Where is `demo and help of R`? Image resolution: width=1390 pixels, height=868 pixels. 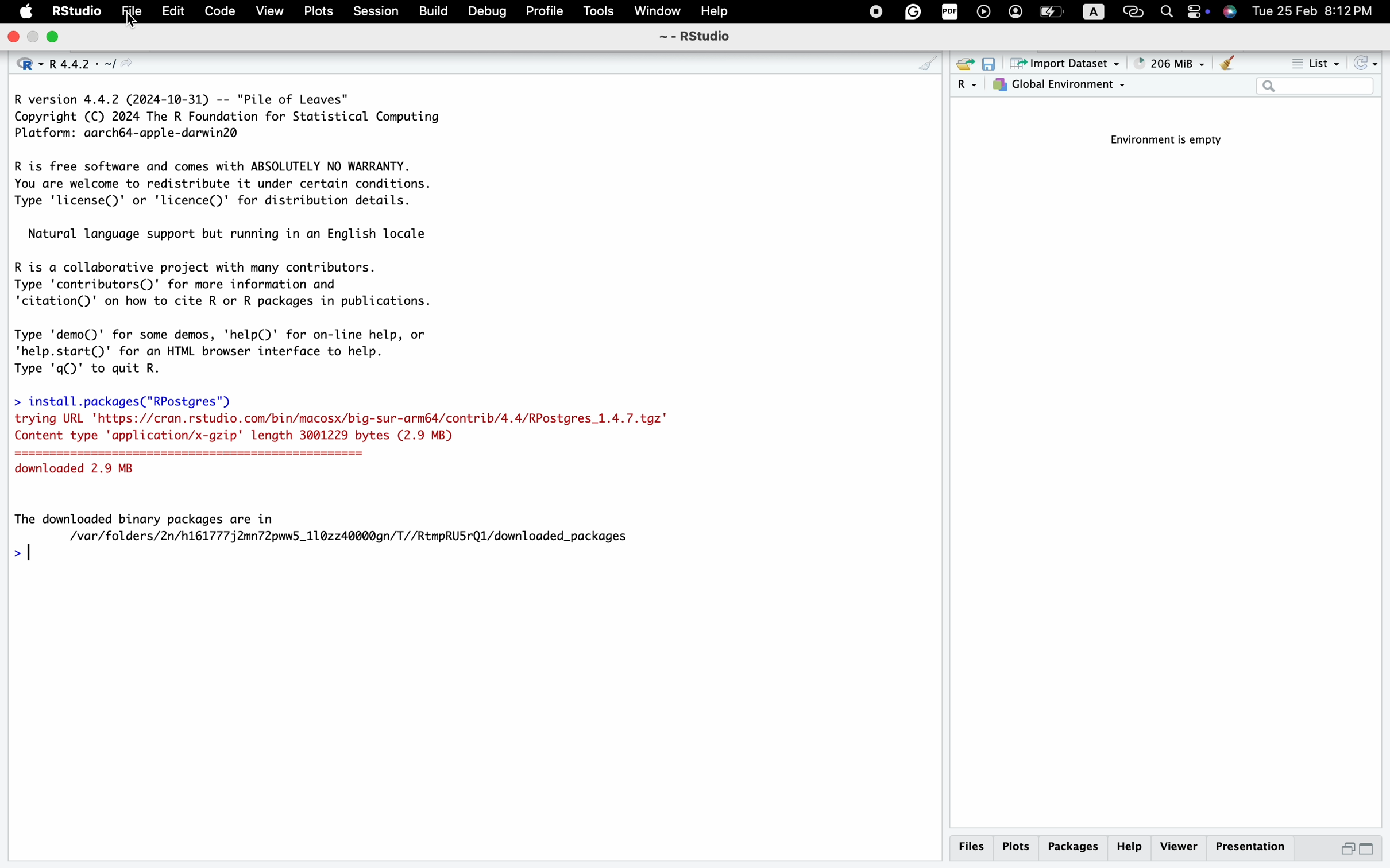
demo and help of R is located at coordinates (231, 350).